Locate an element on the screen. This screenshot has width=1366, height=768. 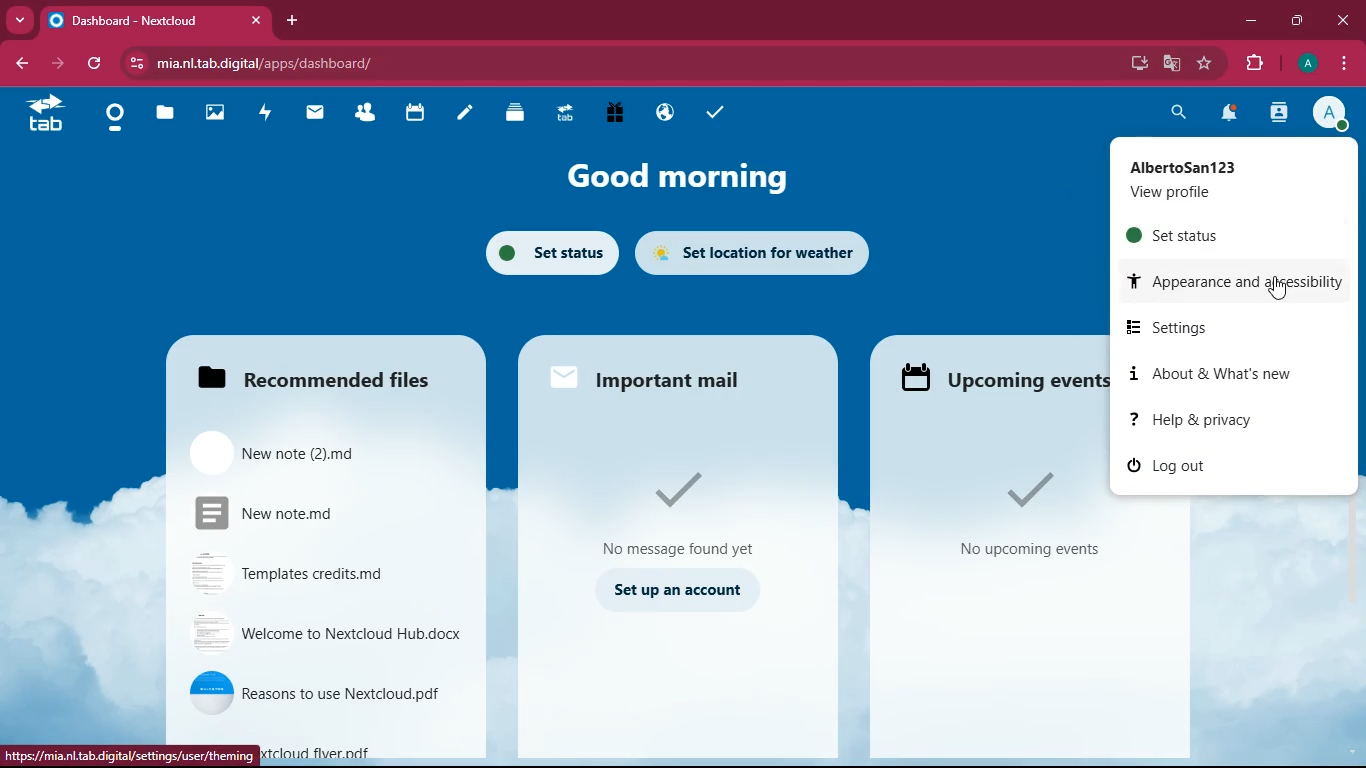
more is located at coordinates (19, 19).